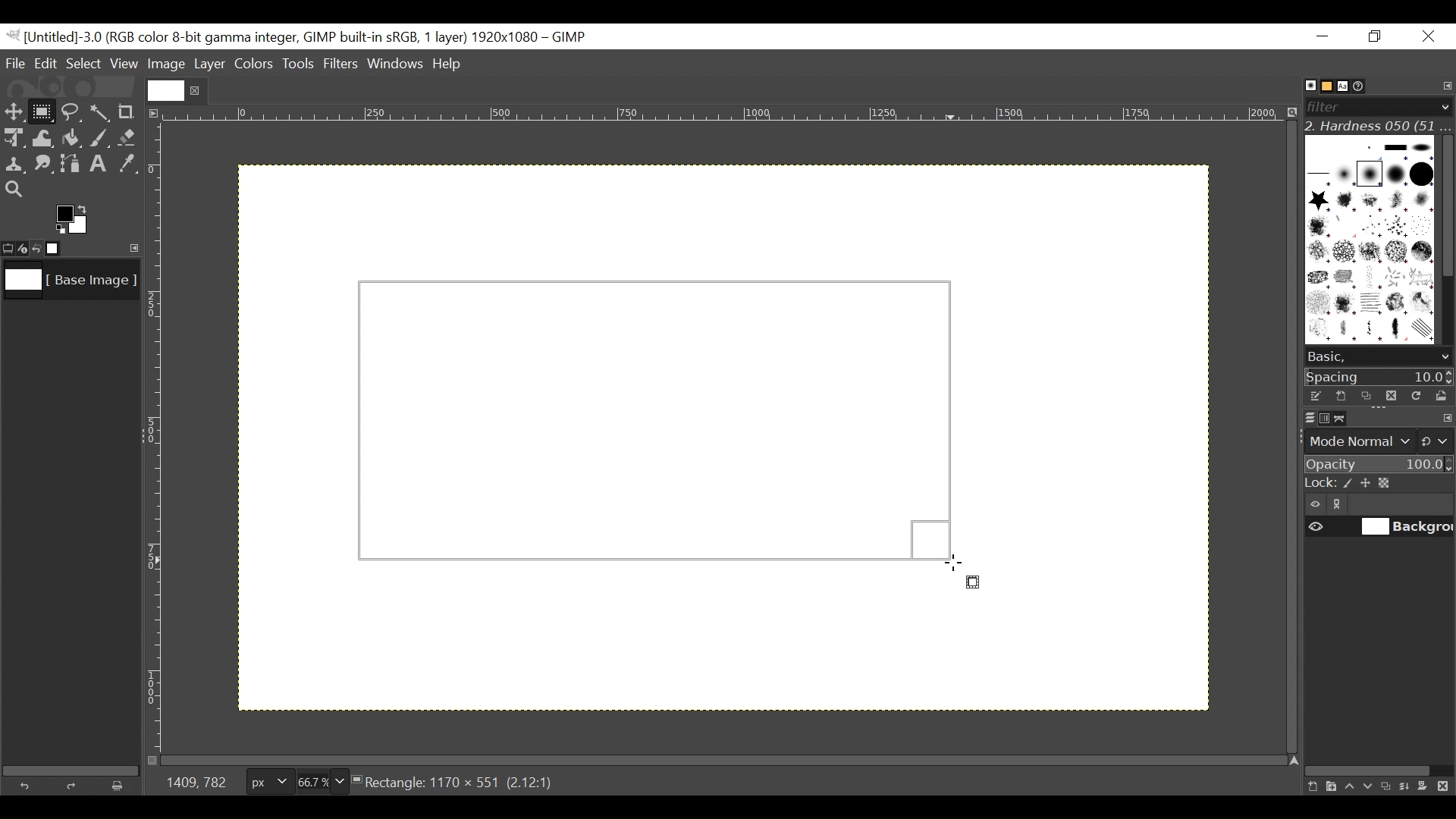  Describe the element at coordinates (1447, 204) in the screenshot. I see `Vertical scroll bar` at that location.